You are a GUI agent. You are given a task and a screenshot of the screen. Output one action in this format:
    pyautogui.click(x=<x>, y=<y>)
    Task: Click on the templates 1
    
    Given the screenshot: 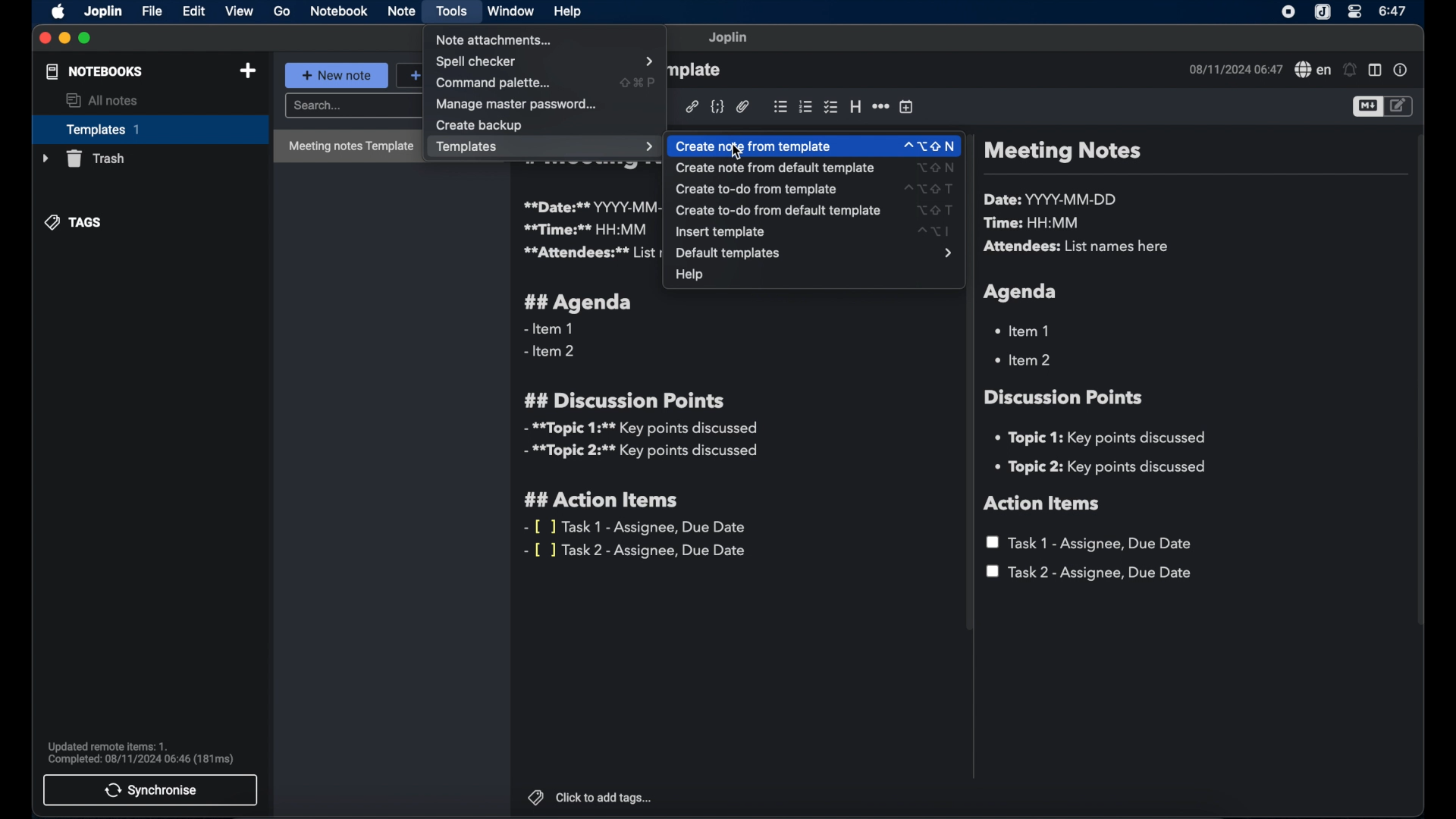 What is the action you would take?
    pyautogui.click(x=148, y=129)
    